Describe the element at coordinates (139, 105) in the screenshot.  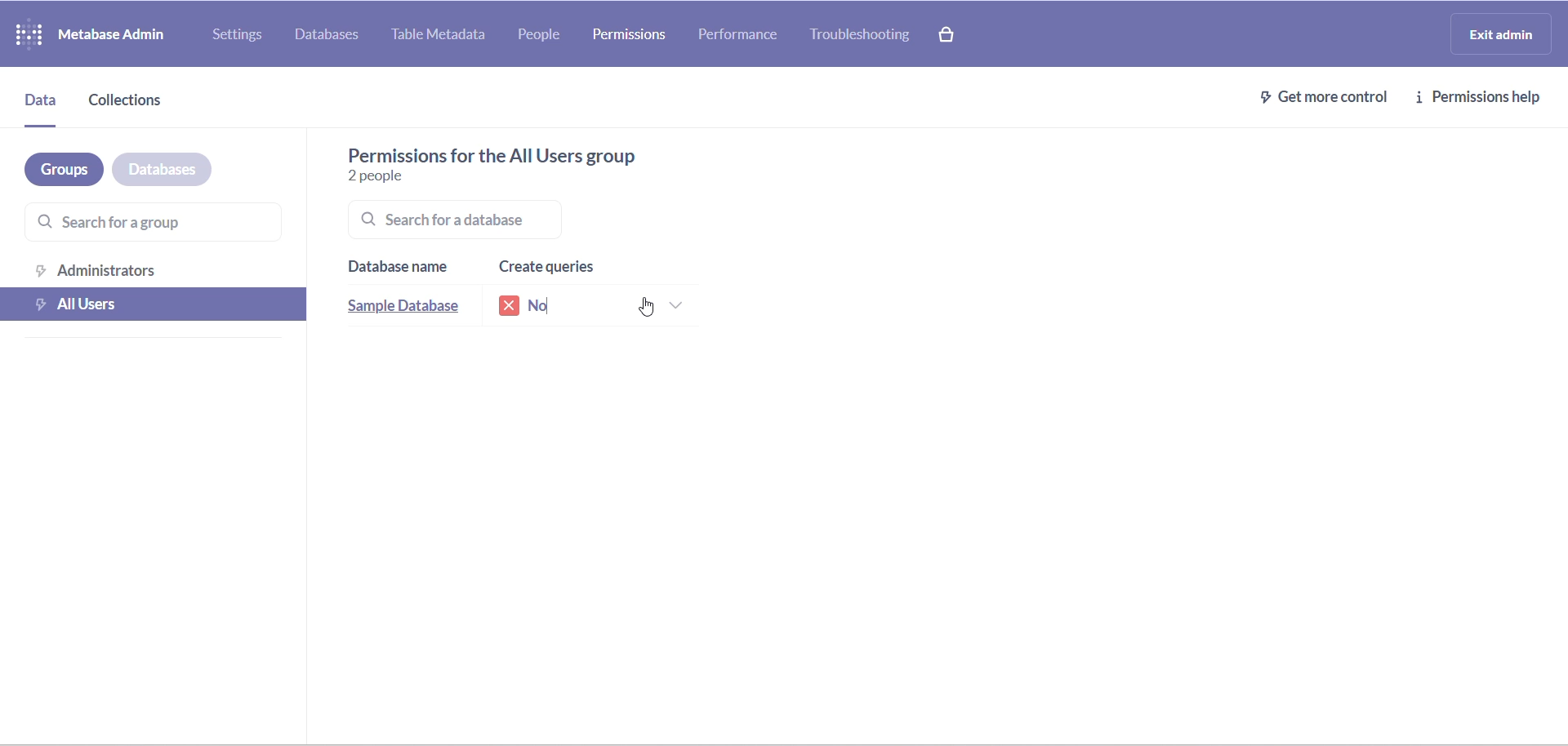
I see `collections` at that location.